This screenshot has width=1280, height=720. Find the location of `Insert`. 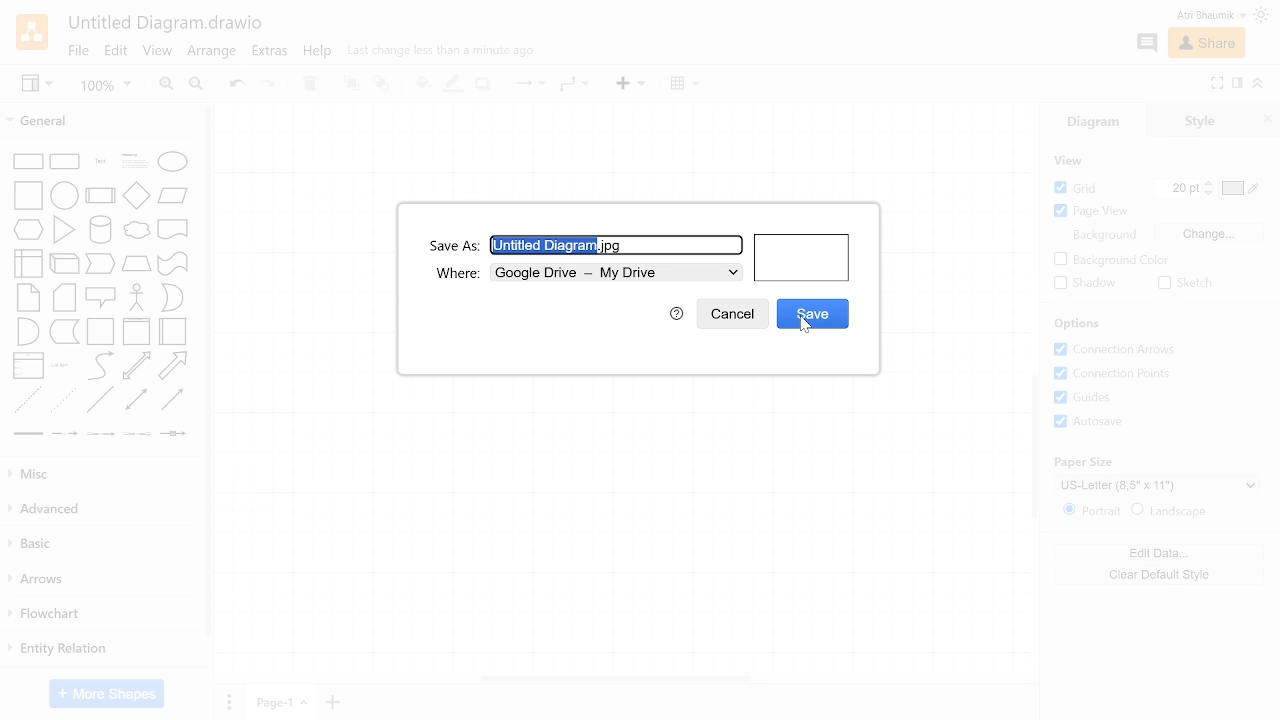

Insert is located at coordinates (630, 84).